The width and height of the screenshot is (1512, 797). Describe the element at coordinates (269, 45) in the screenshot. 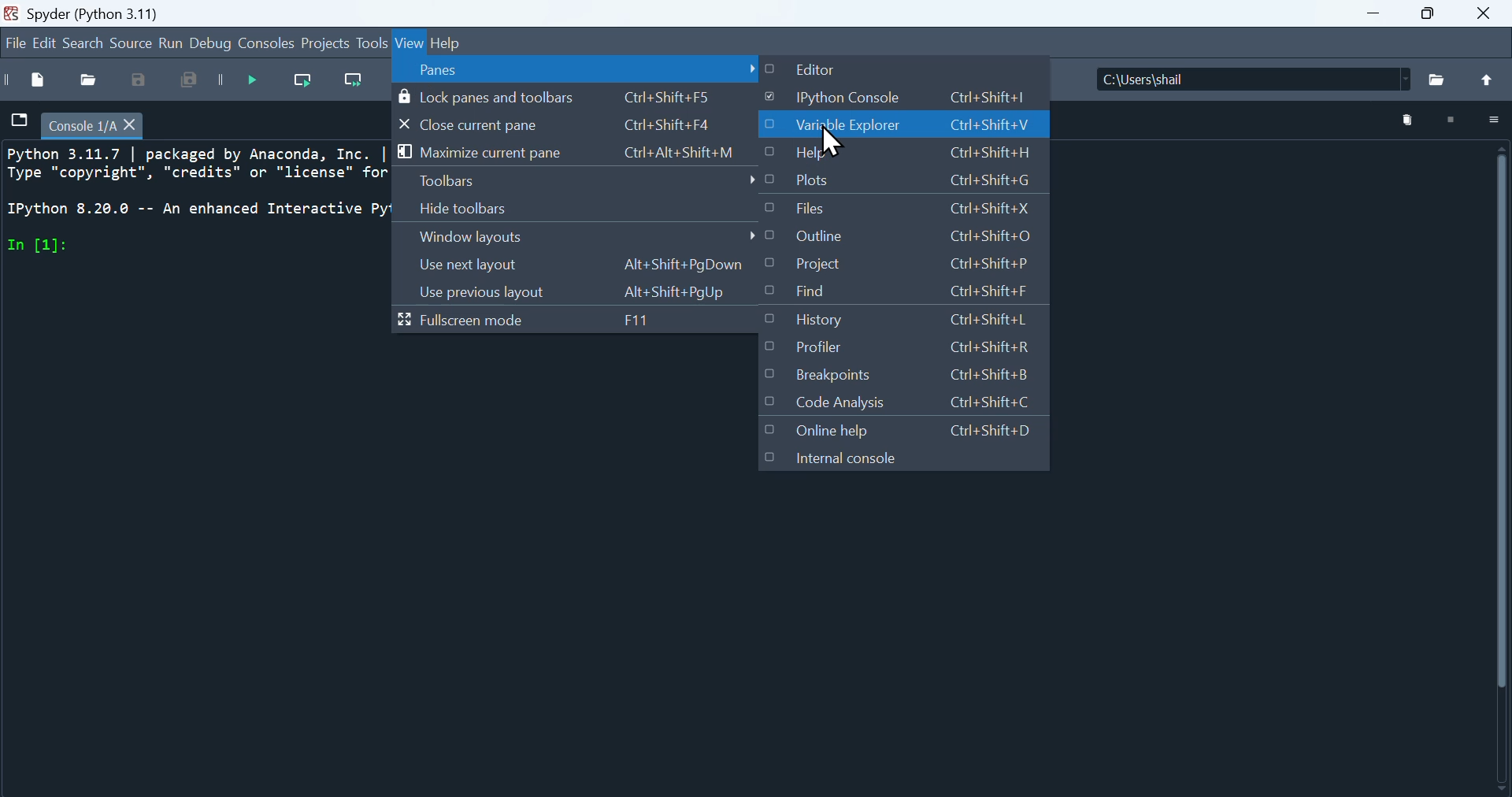

I see `Console` at that location.